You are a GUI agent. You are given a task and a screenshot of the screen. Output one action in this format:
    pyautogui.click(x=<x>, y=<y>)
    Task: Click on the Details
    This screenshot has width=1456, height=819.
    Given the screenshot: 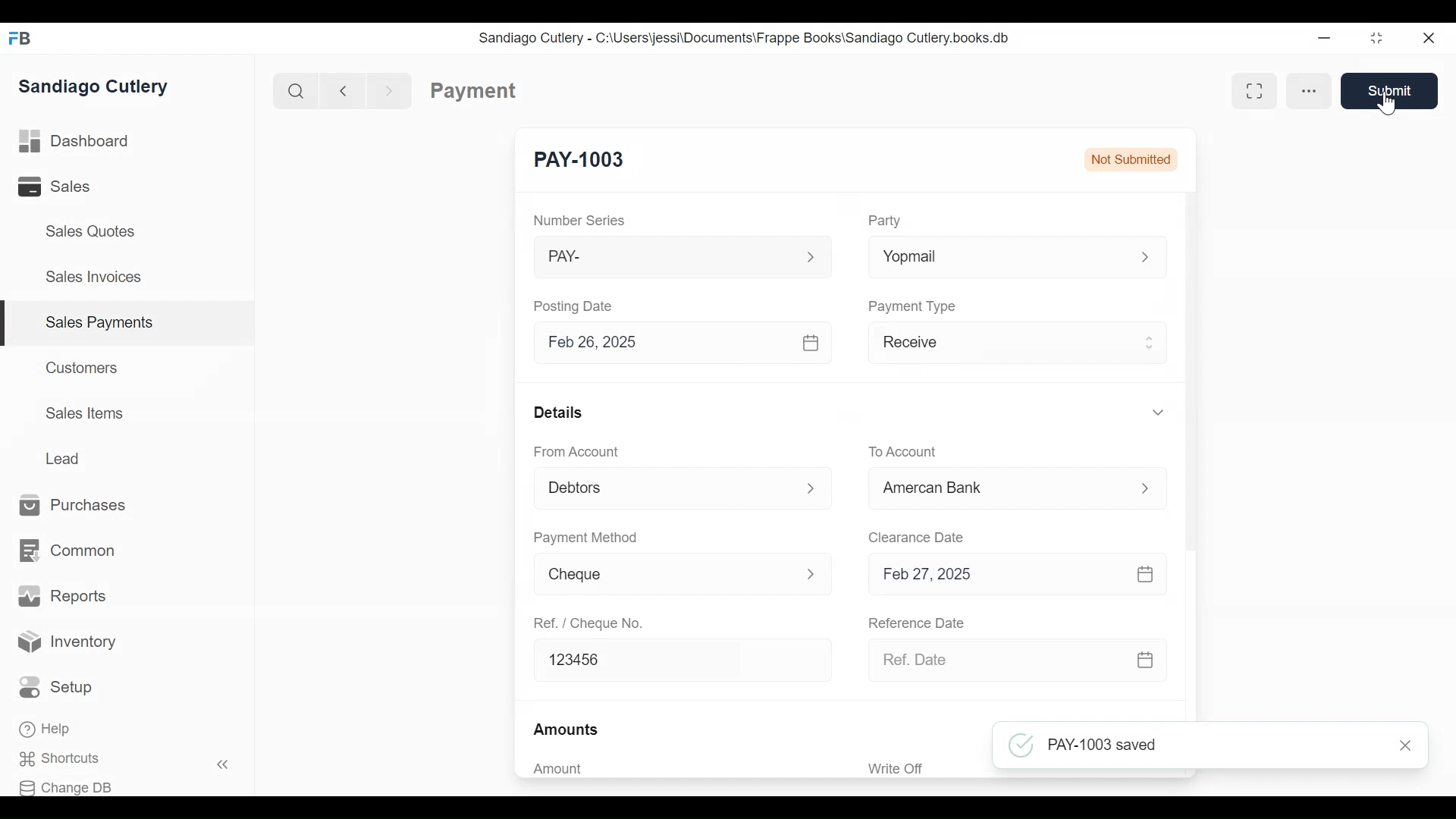 What is the action you would take?
    pyautogui.click(x=559, y=413)
    